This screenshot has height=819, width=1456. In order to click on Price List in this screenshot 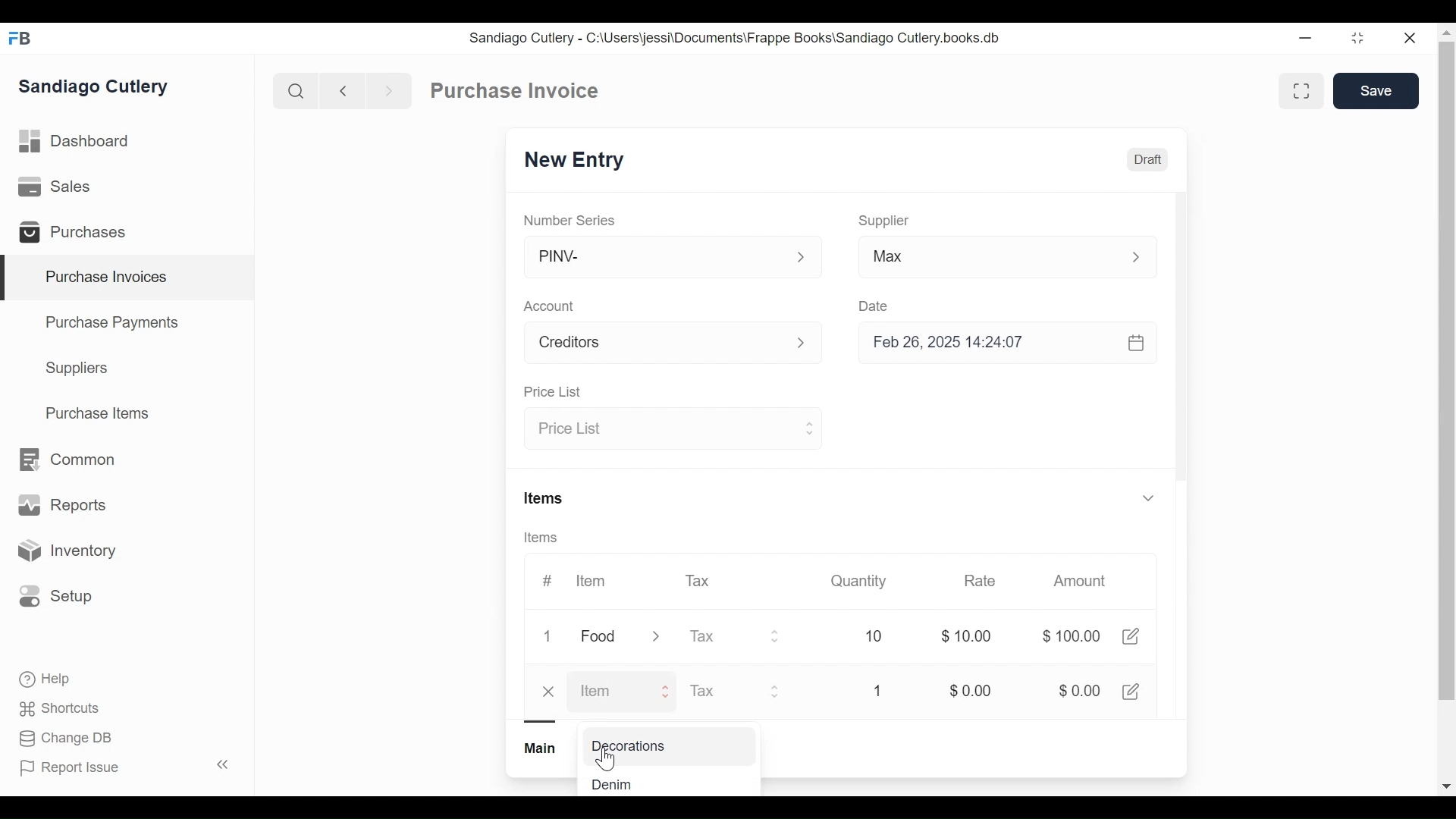, I will do `click(554, 393)`.